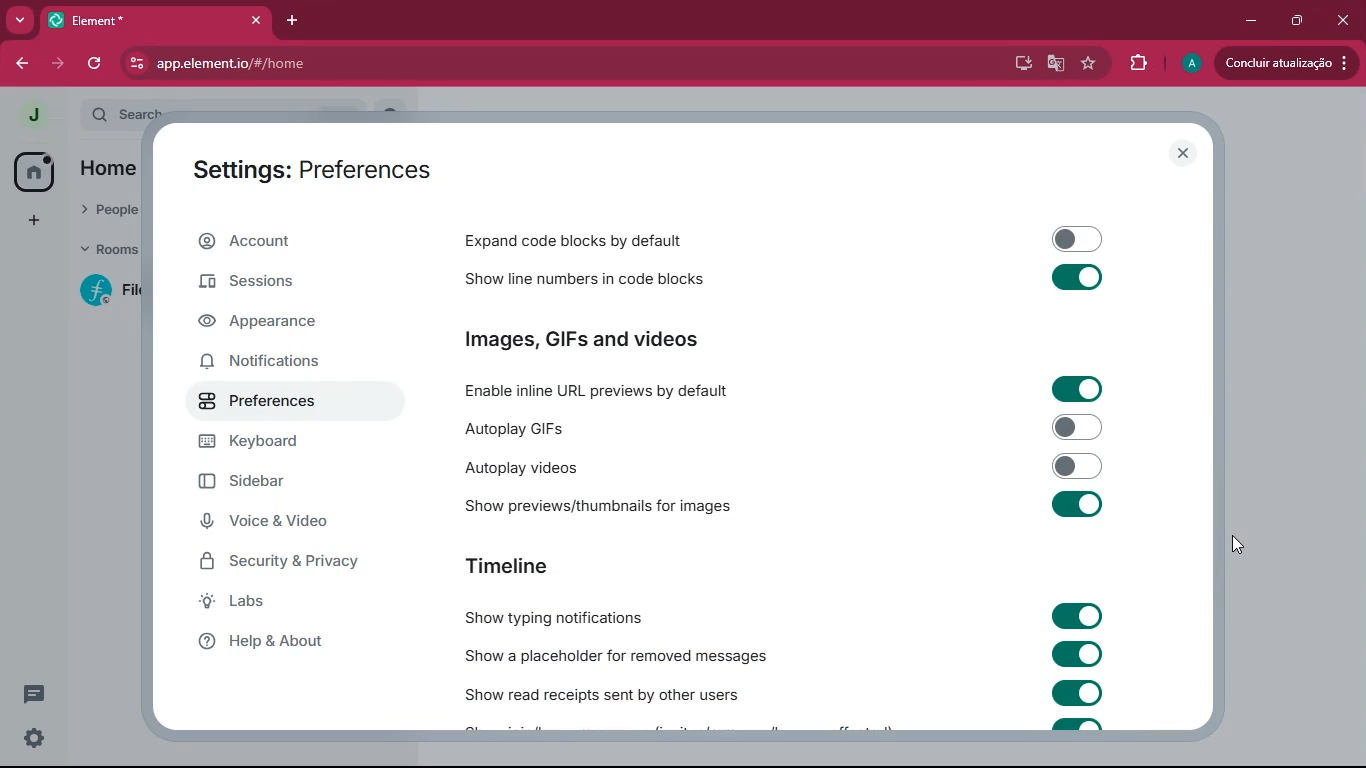 Image resolution: width=1366 pixels, height=768 pixels. I want to click on show a placeholder for removed messages, so click(616, 653).